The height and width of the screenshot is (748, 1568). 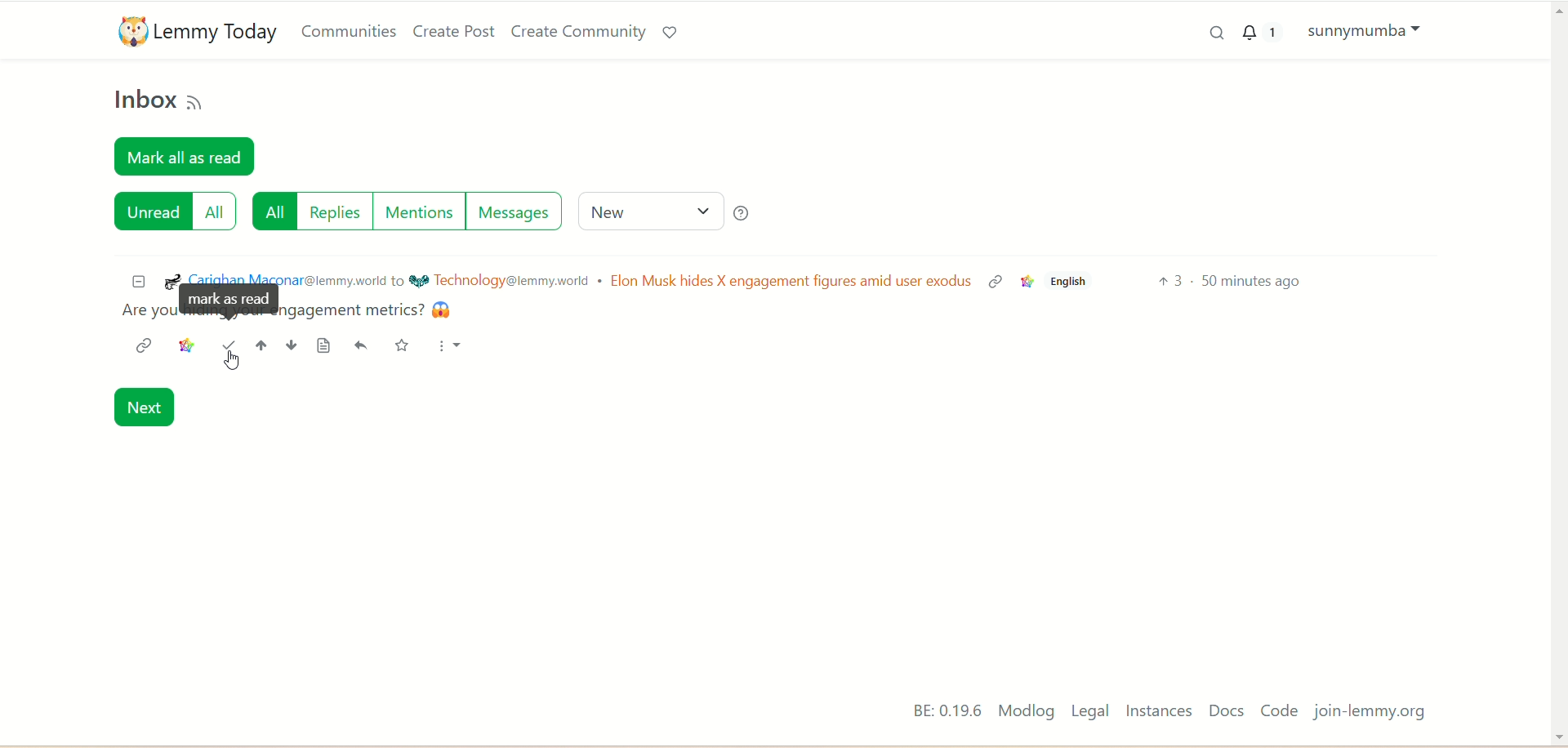 What do you see at coordinates (1261, 33) in the screenshot?
I see `1 notification` at bounding box center [1261, 33].